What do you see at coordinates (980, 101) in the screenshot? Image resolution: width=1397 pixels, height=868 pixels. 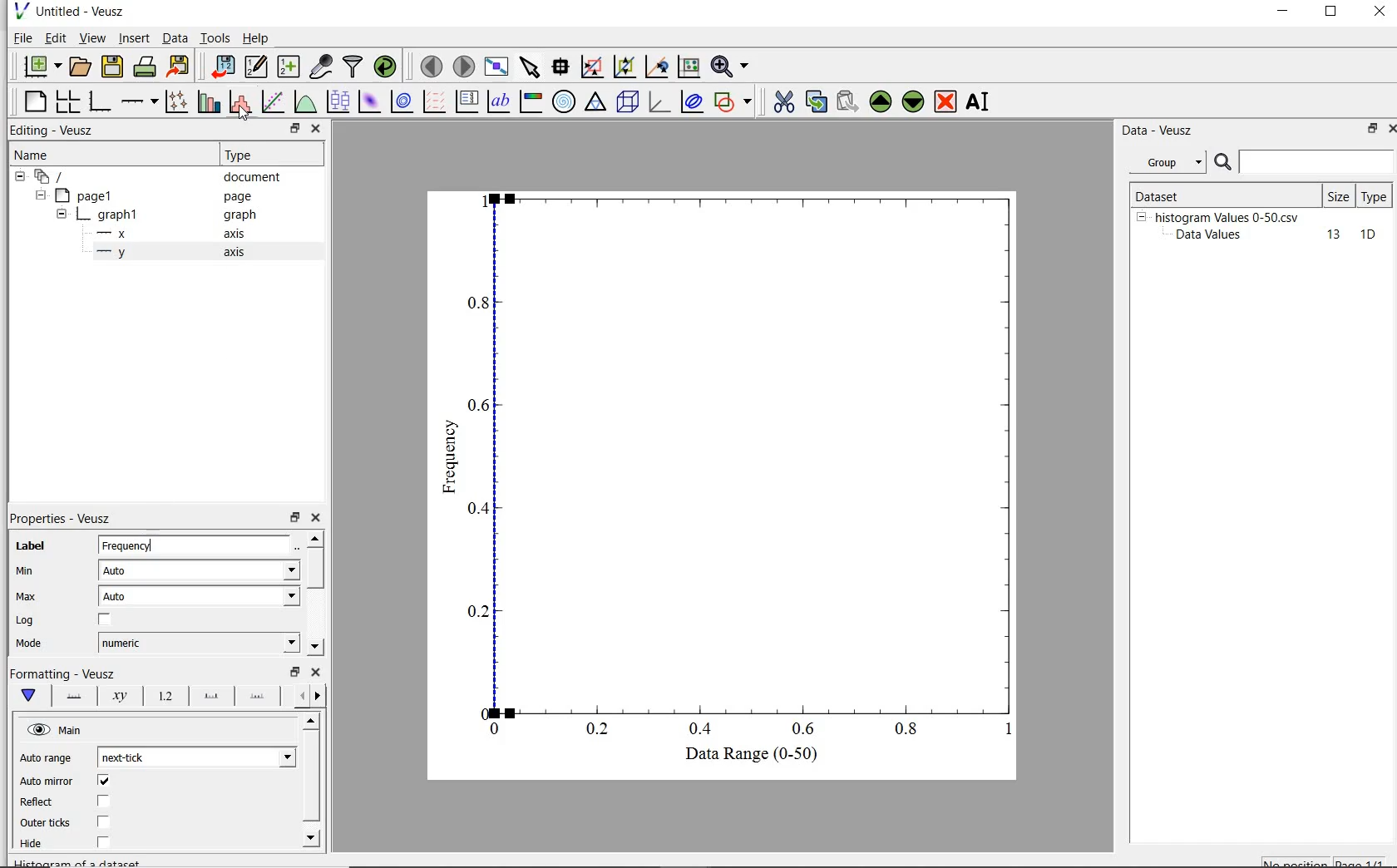 I see `rename the selected widget` at bounding box center [980, 101].